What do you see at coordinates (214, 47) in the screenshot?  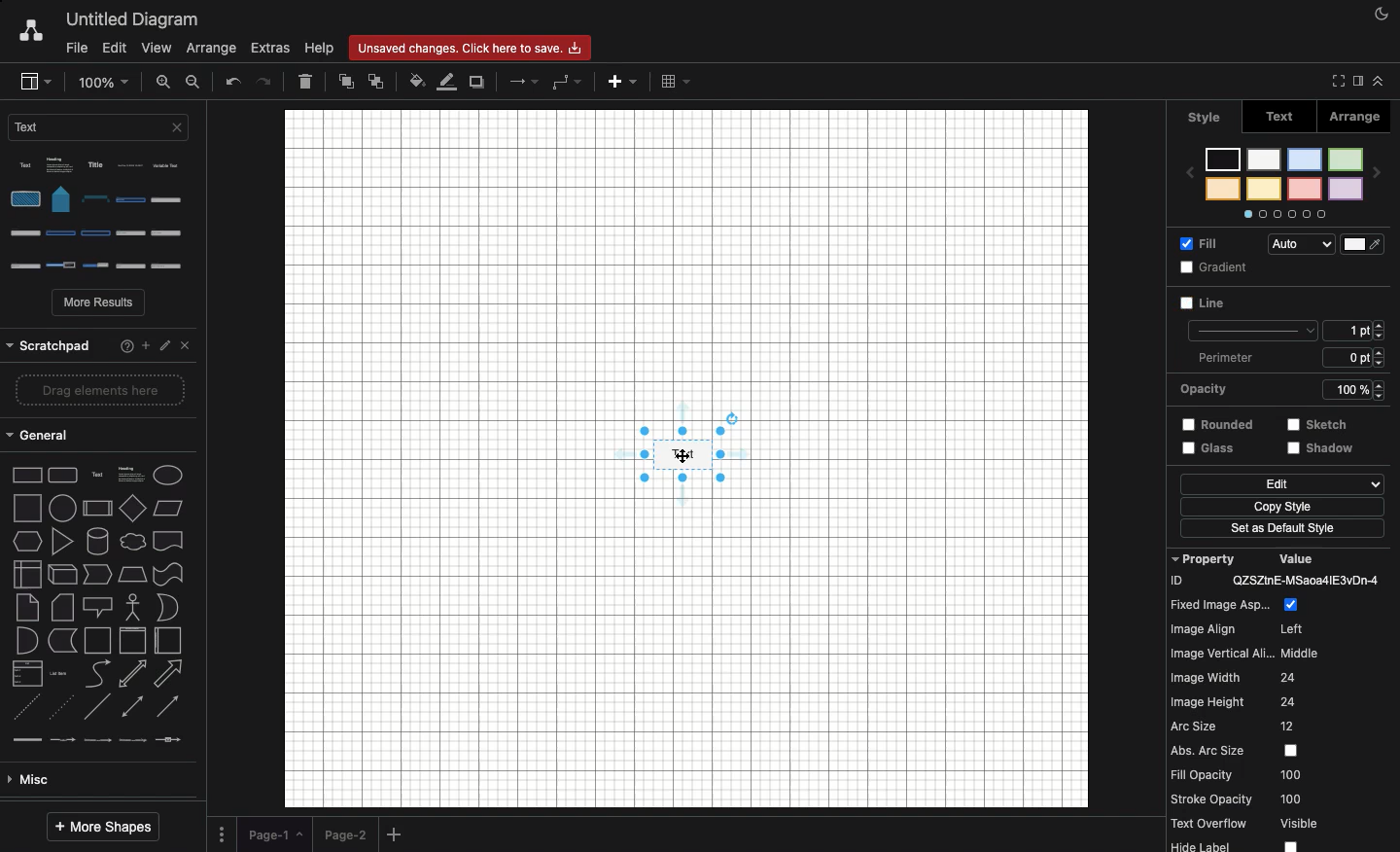 I see `Arrange` at bounding box center [214, 47].